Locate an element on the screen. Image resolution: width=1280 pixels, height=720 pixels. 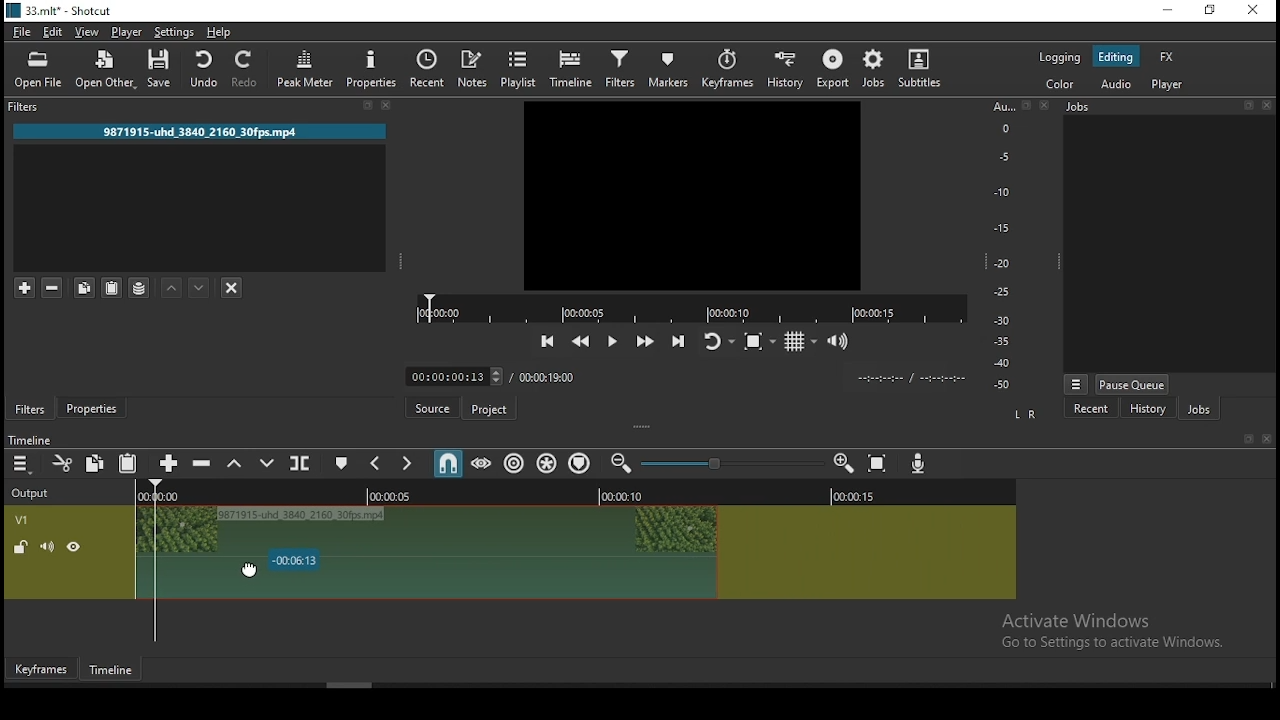
filters is located at coordinates (34, 106).